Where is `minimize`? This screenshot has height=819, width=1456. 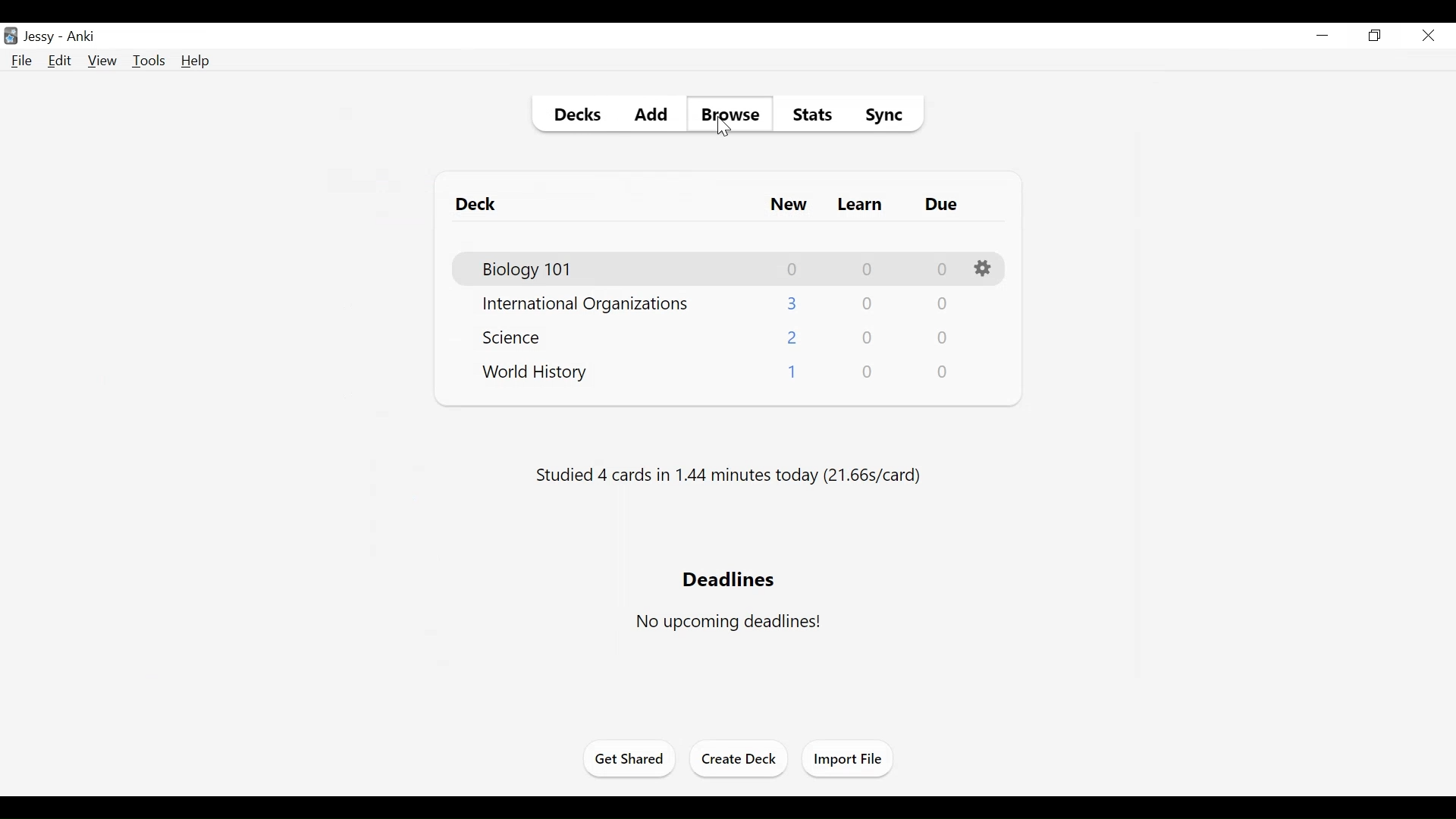 minimize is located at coordinates (1323, 35).